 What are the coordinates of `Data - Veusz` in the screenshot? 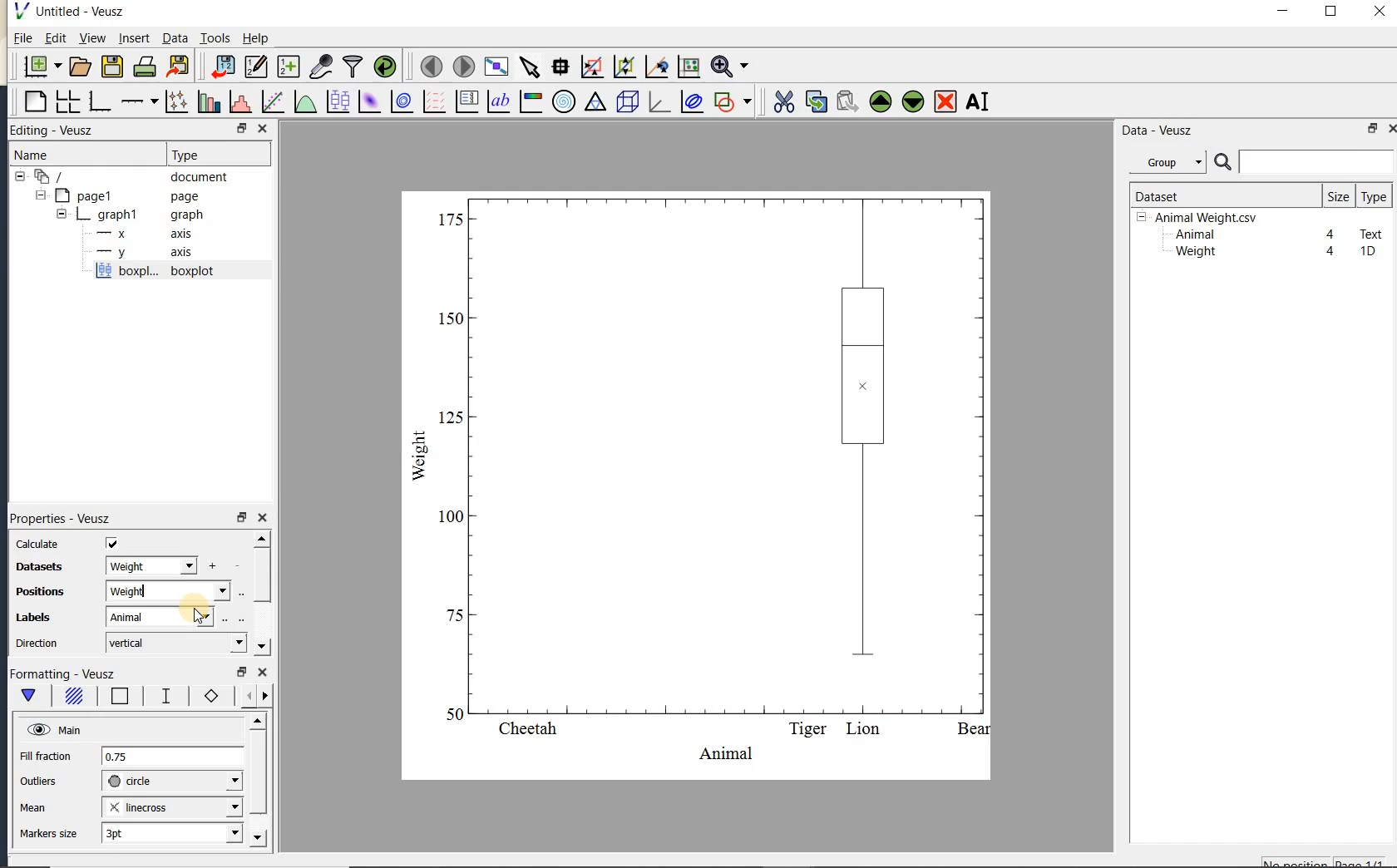 It's located at (1172, 163).